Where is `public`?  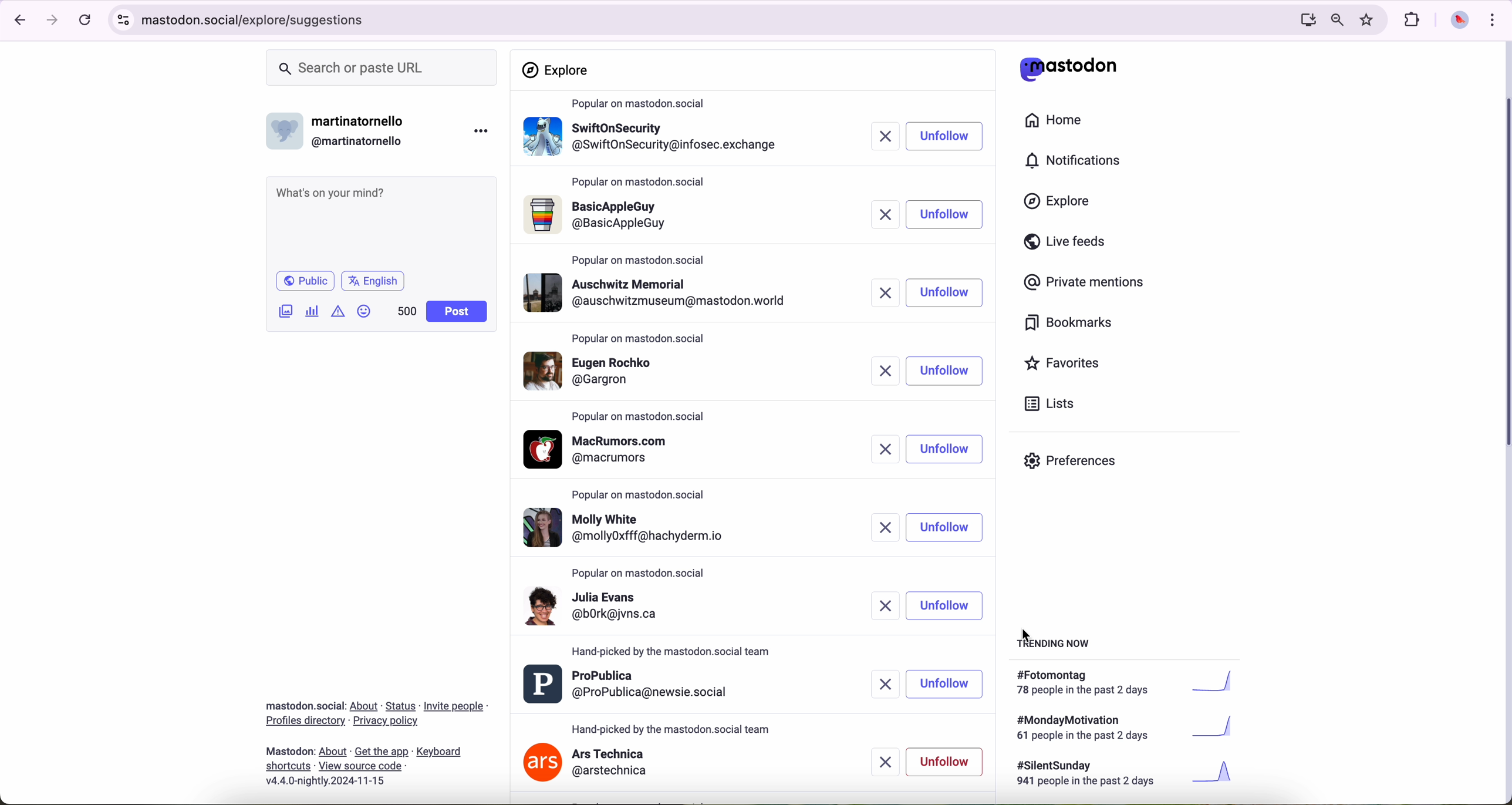
public is located at coordinates (304, 281).